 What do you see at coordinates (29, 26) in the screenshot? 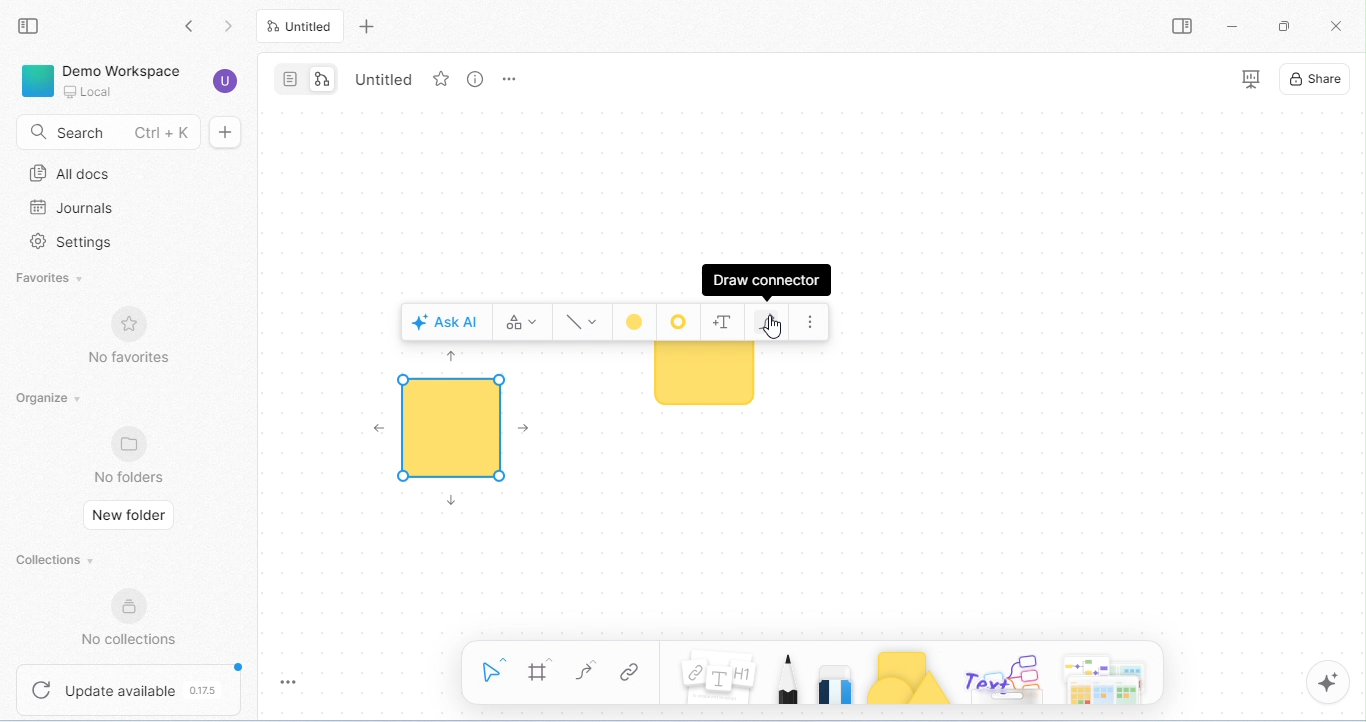
I see `collapse` at bounding box center [29, 26].